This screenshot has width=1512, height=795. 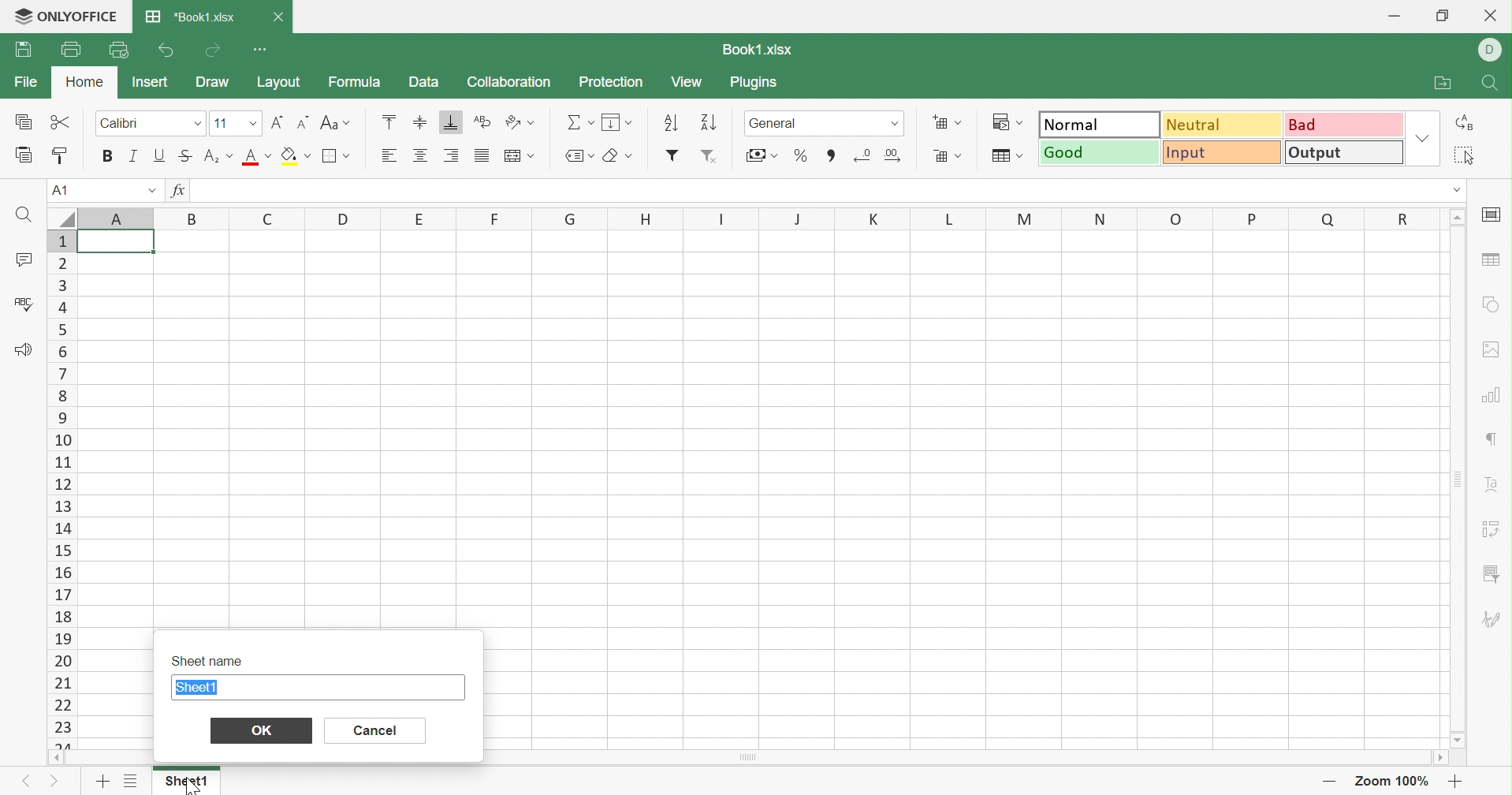 What do you see at coordinates (261, 47) in the screenshot?
I see `Customize Quick Access Toolbar` at bounding box center [261, 47].